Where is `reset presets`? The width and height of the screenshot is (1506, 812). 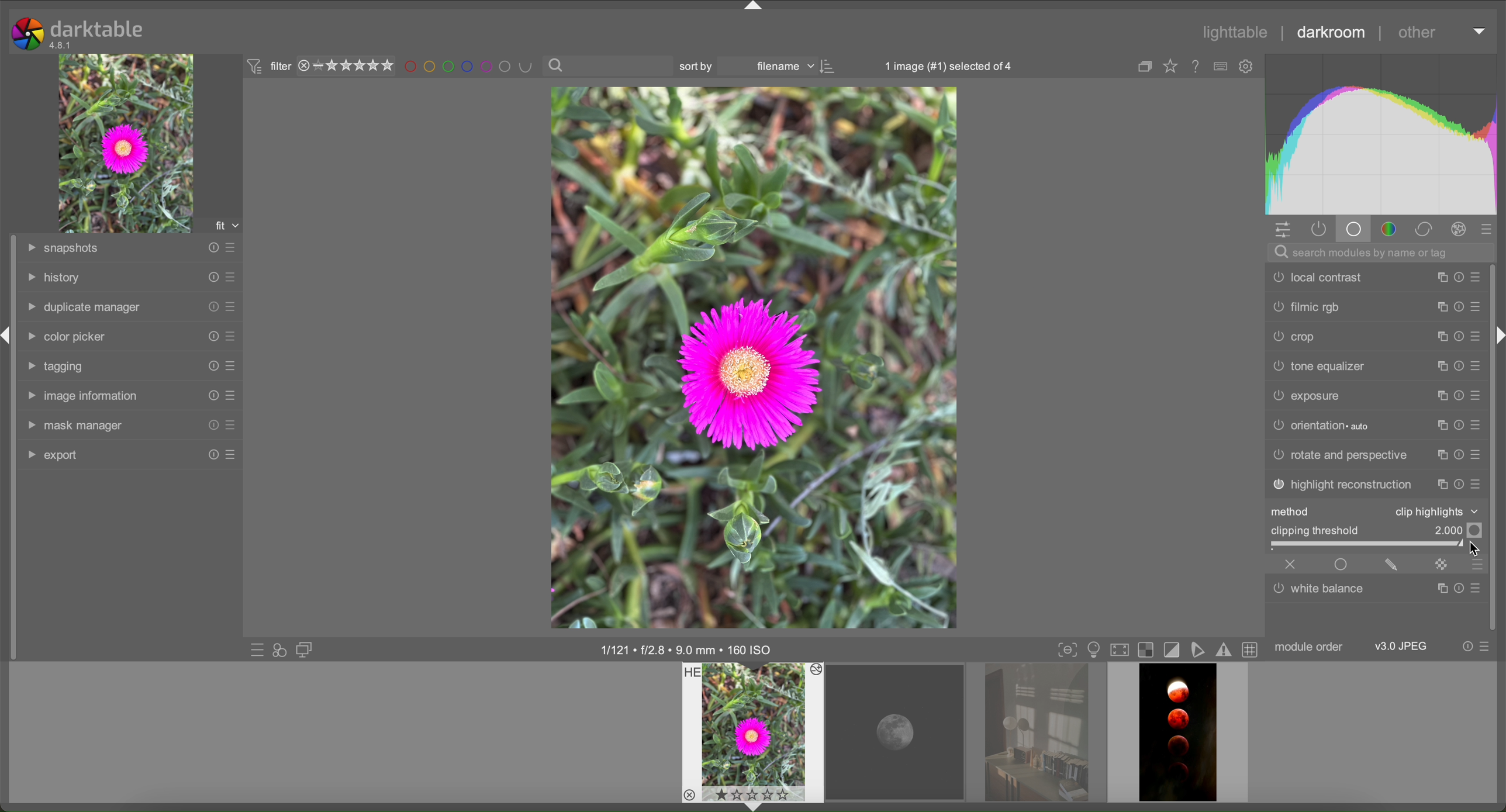 reset presets is located at coordinates (1456, 308).